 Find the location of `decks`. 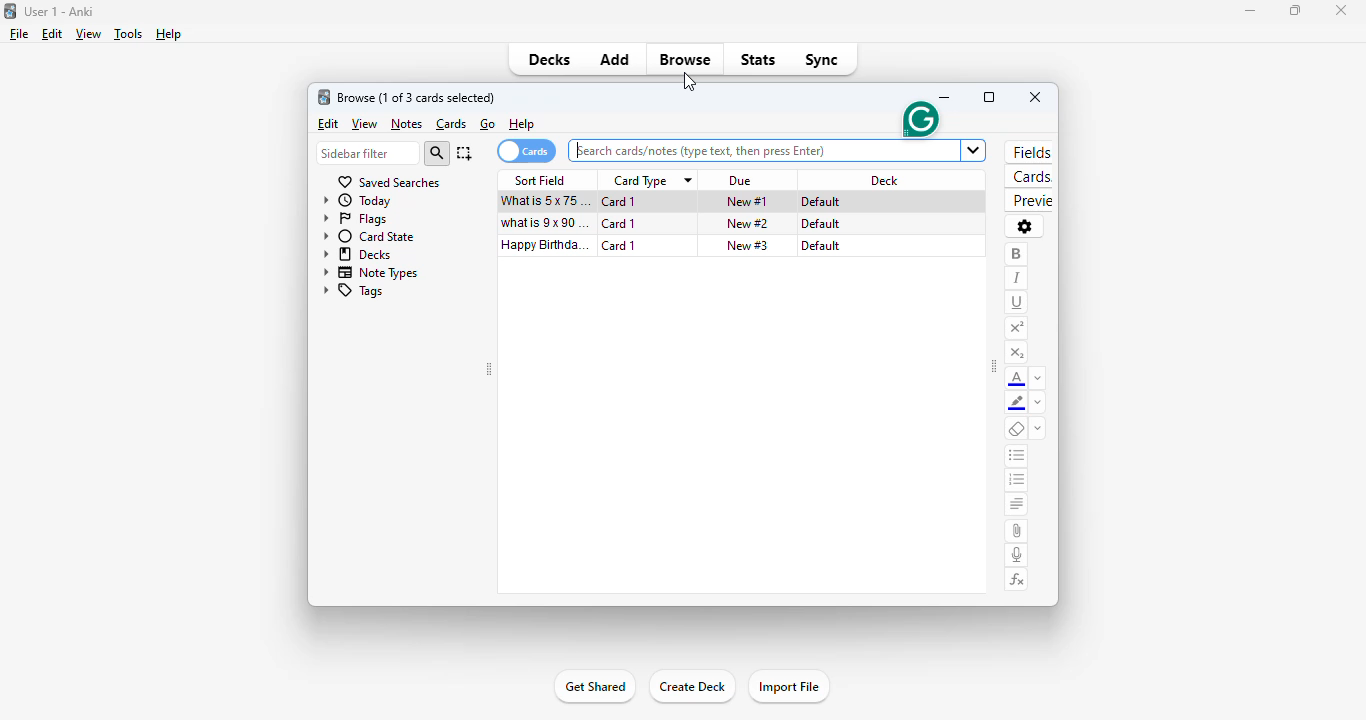

decks is located at coordinates (357, 254).